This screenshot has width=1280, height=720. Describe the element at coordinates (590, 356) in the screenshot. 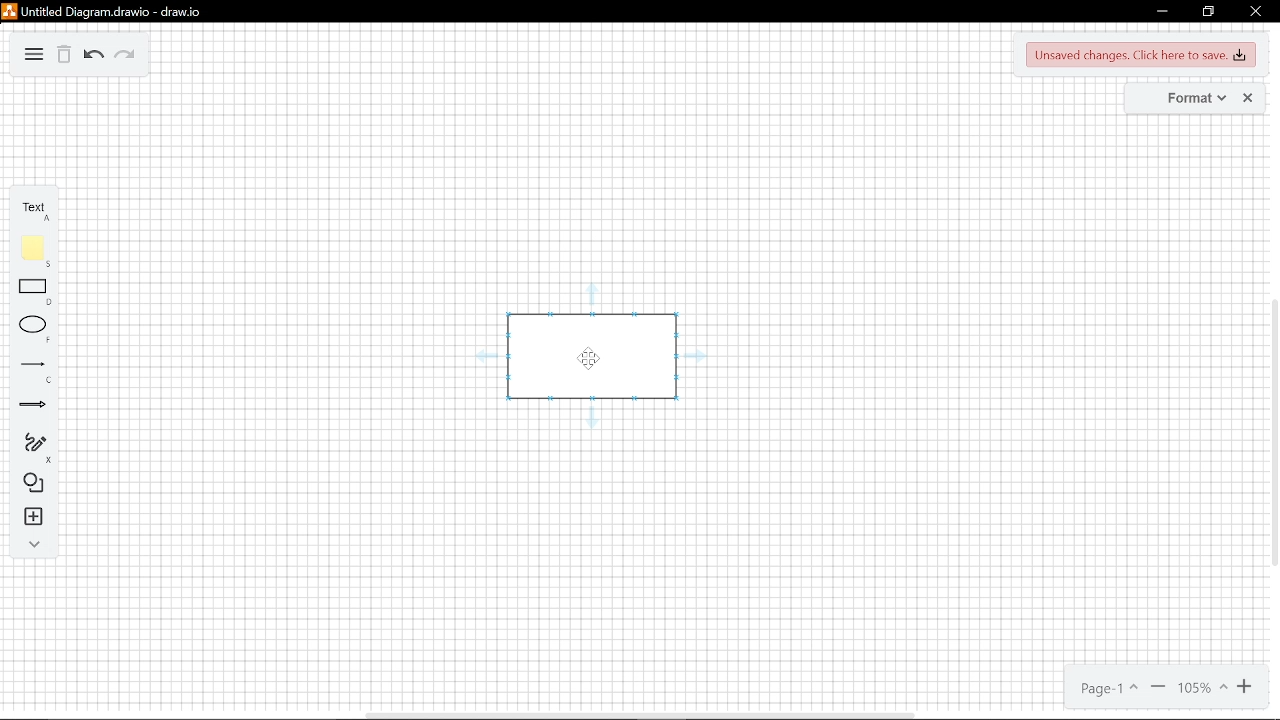

I see `current diagram` at that location.